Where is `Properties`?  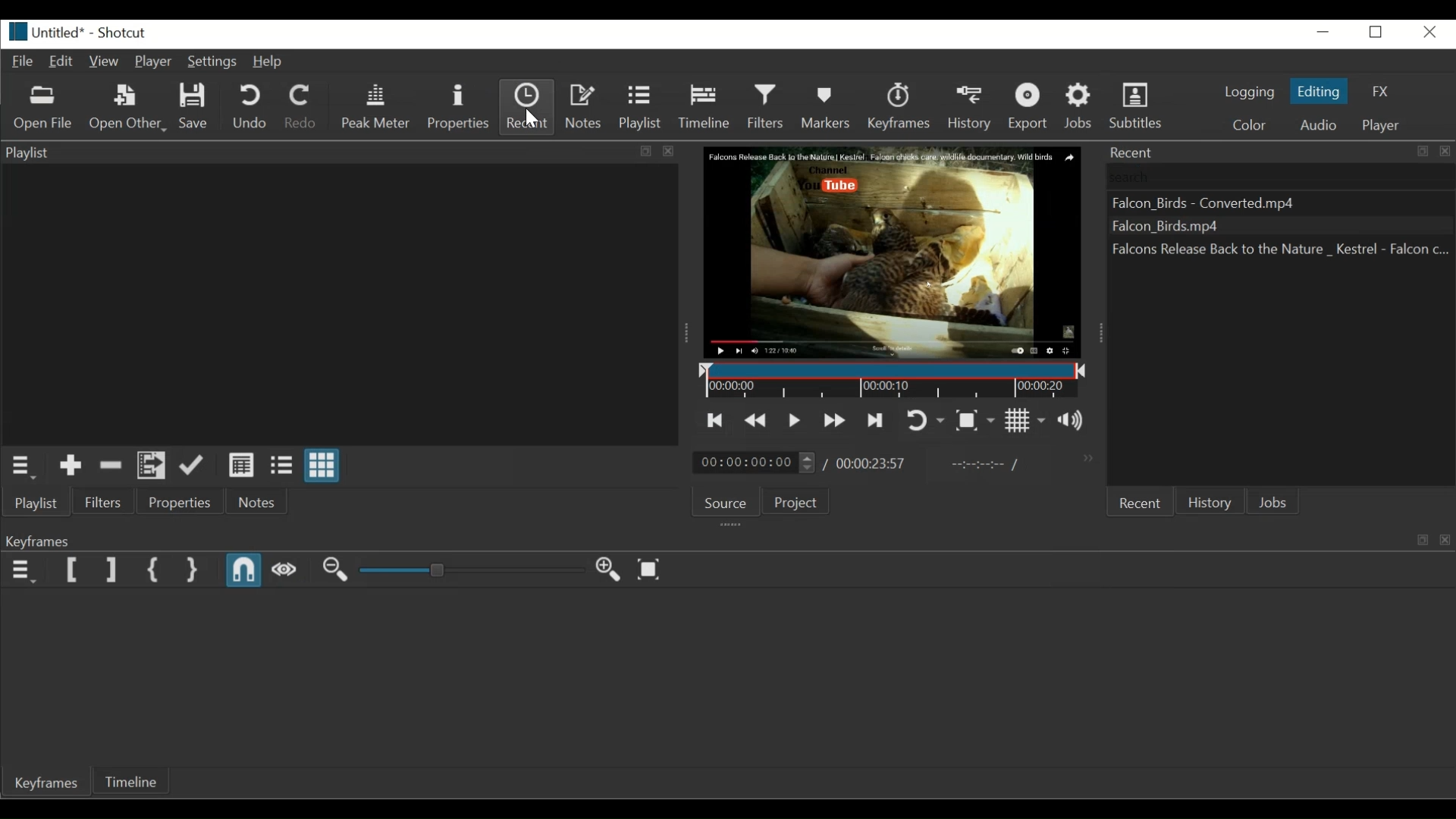
Properties is located at coordinates (175, 502).